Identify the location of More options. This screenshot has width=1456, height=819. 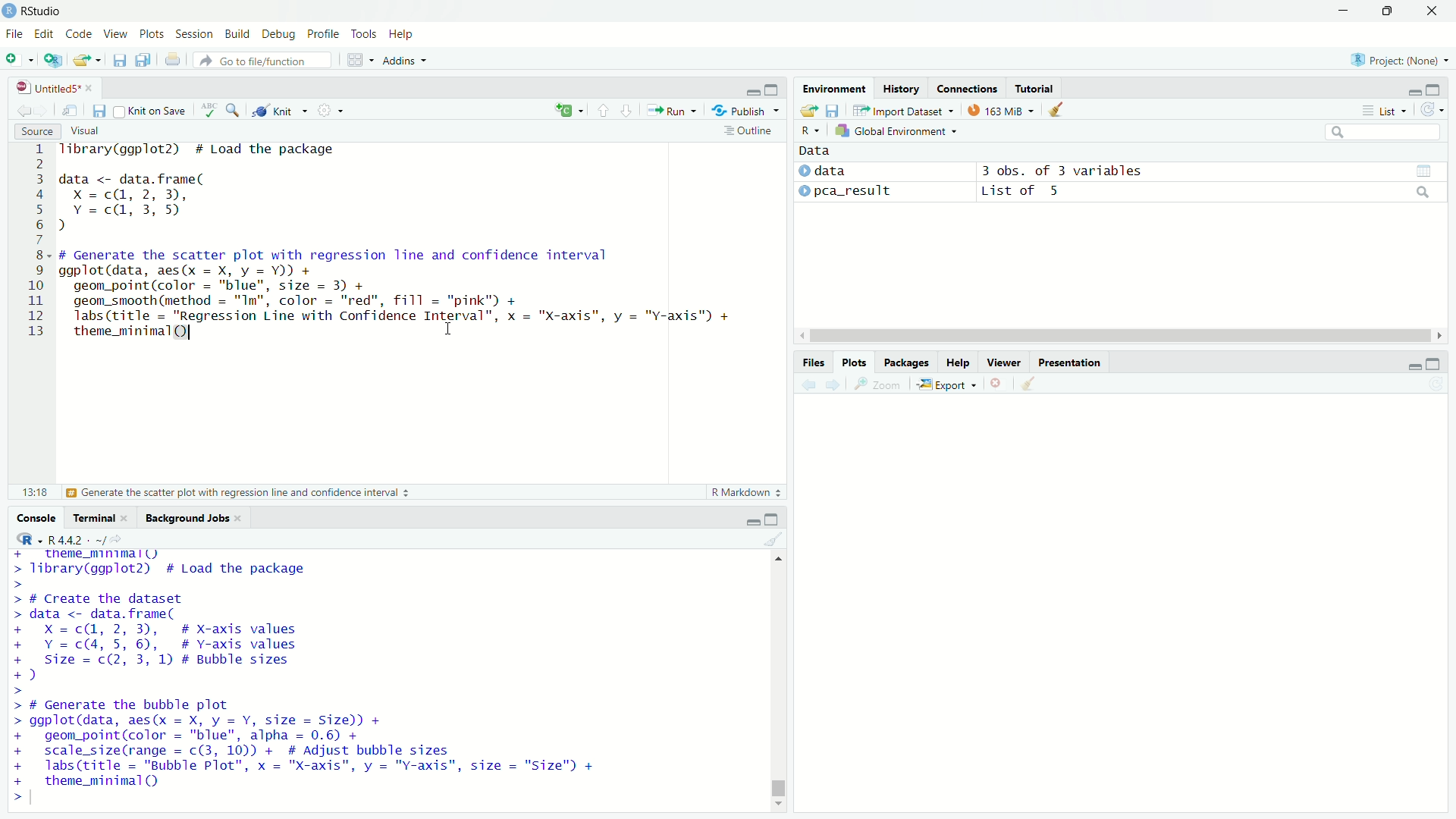
(330, 110).